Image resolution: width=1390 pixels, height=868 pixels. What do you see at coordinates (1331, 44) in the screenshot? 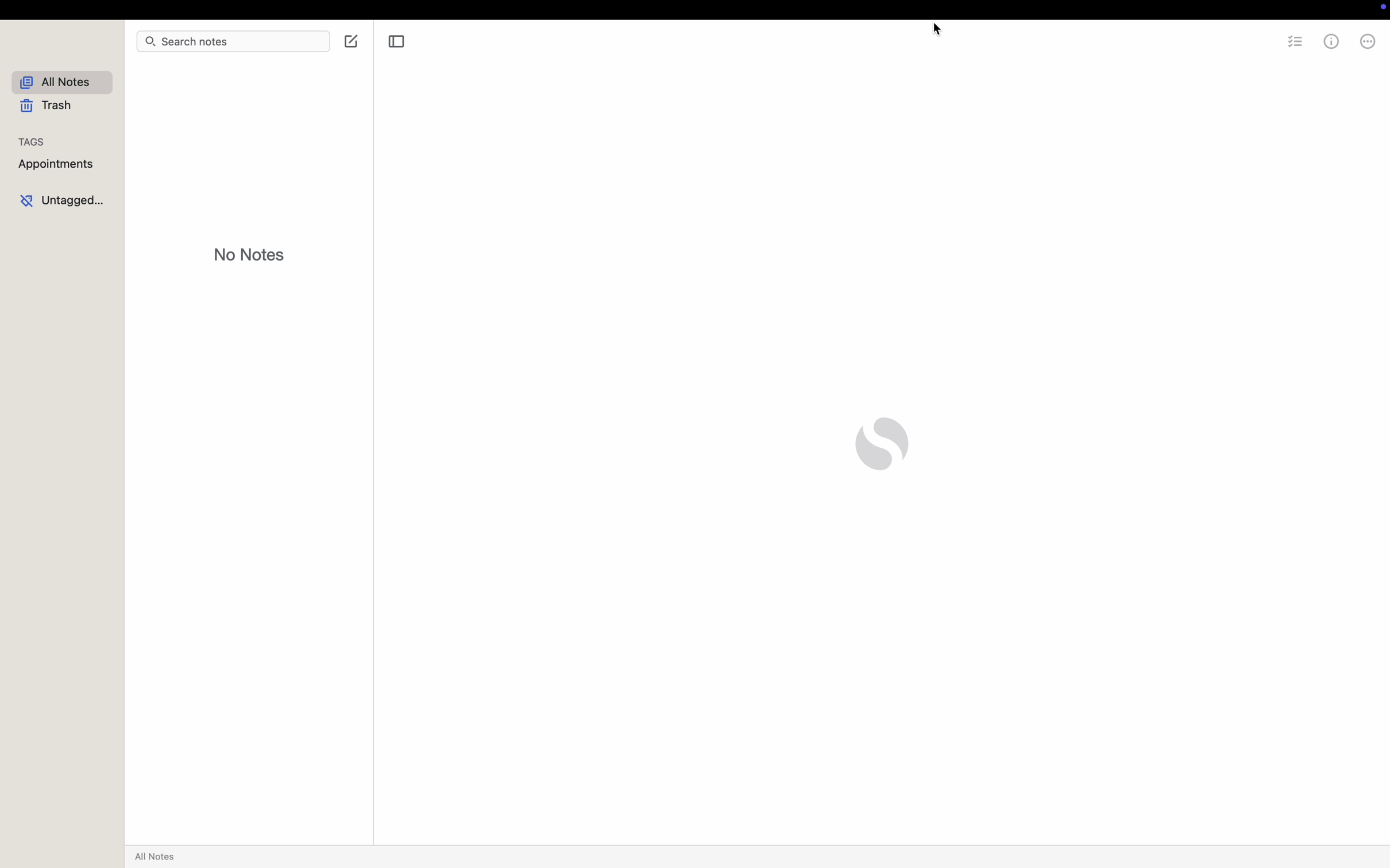
I see `metrics` at bounding box center [1331, 44].